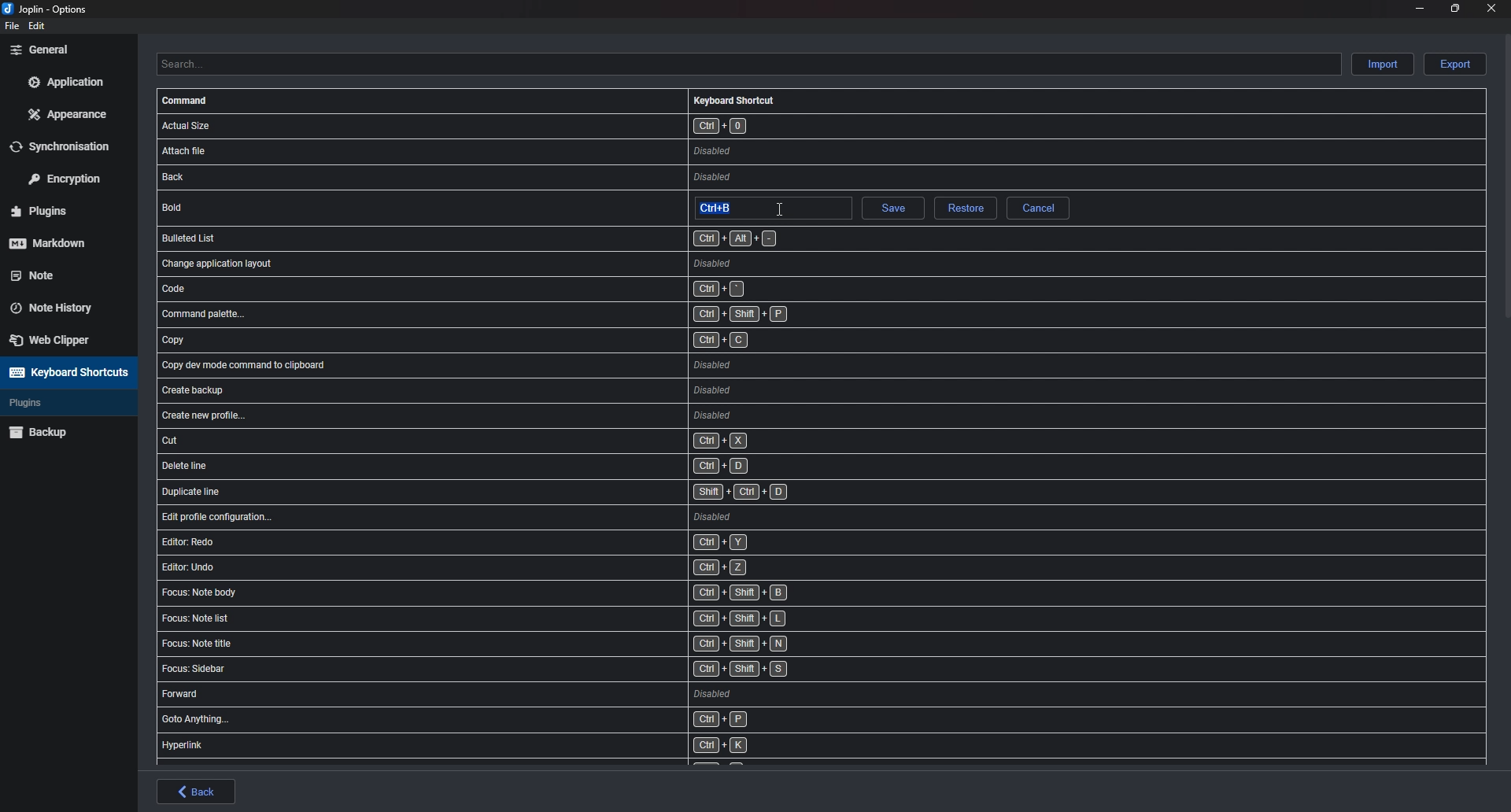 The height and width of the screenshot is (812, 1511). Describe the element at coordinates (10, 26) in the screenshot. I see `file` at that location.